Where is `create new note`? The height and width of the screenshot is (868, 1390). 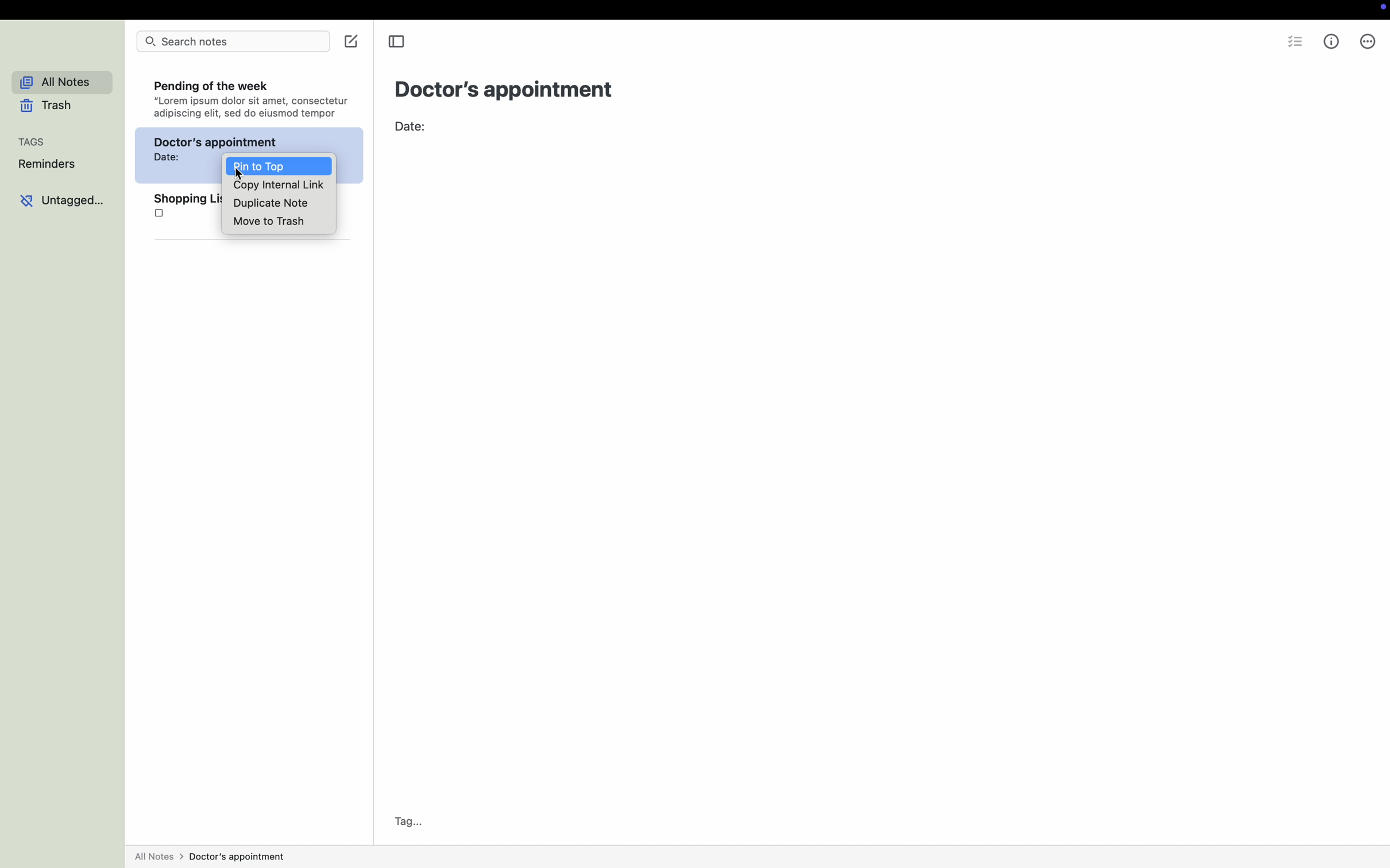 create new note is located at coordinates (352, 42).